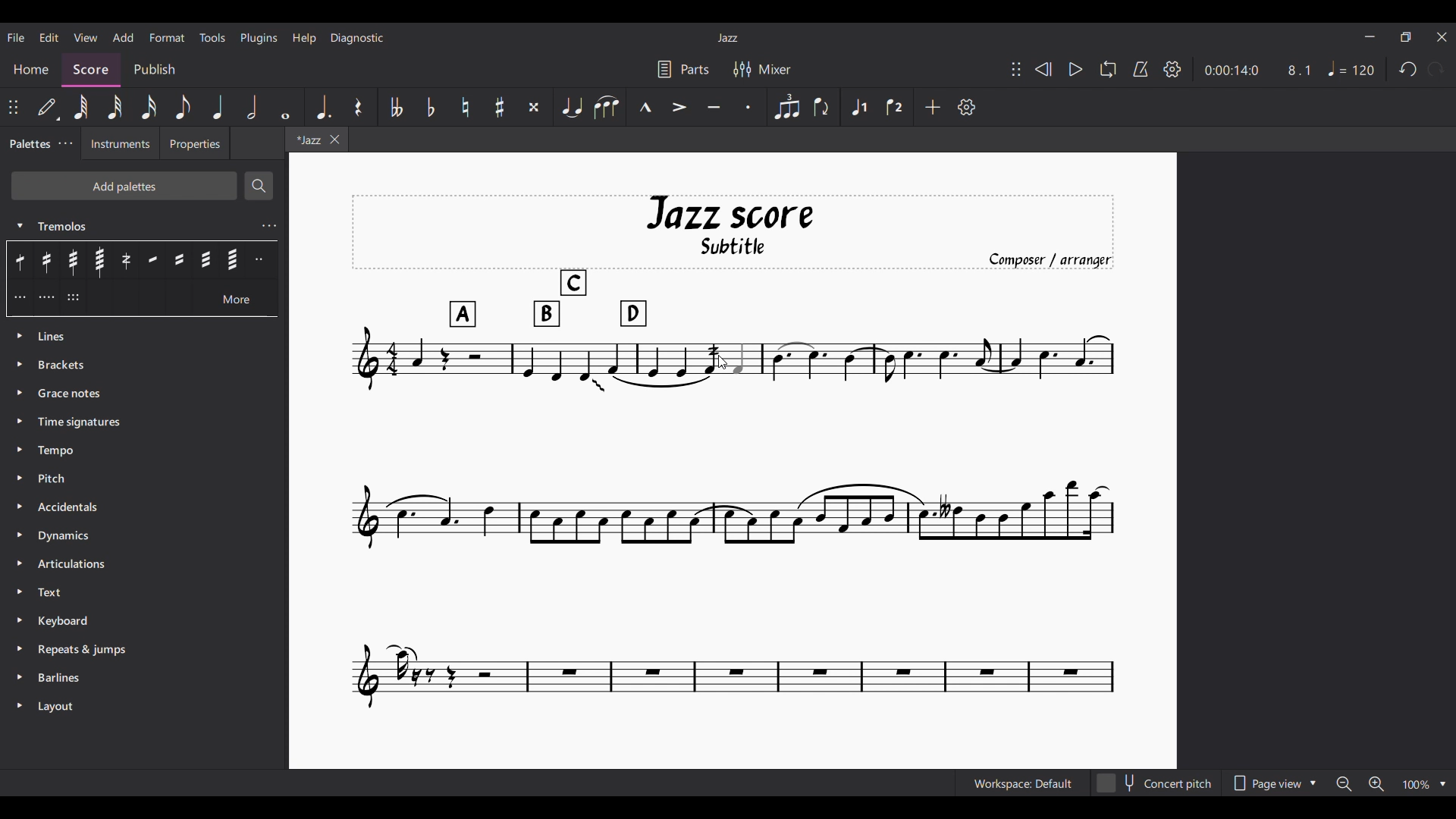  What do you see at coordinates (145, 479) in the screenshot?
I see `Pitch` at bounding box center [145, 479].